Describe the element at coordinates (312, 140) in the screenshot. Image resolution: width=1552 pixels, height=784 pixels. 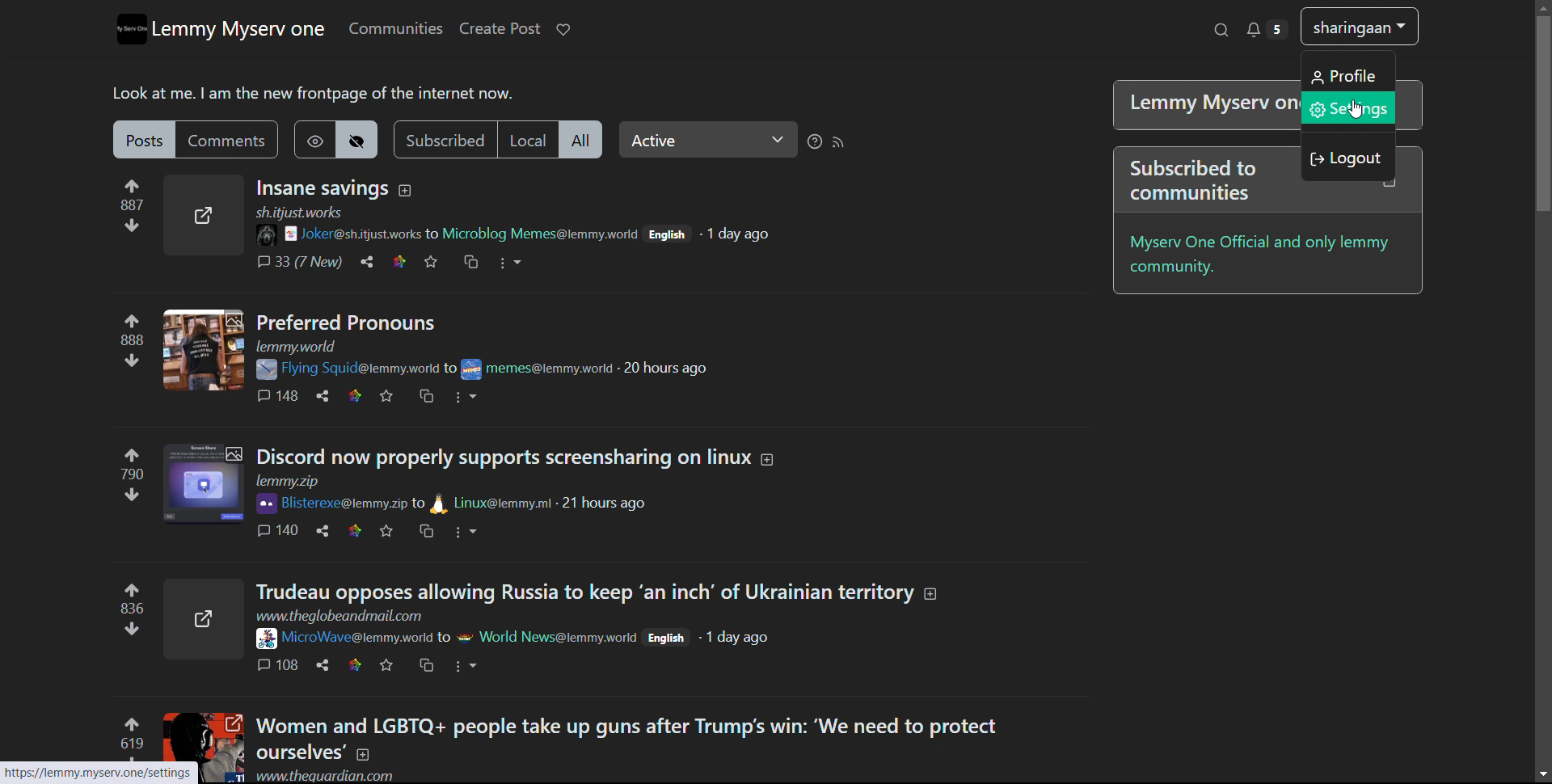
I see `show hidden post` at that location.